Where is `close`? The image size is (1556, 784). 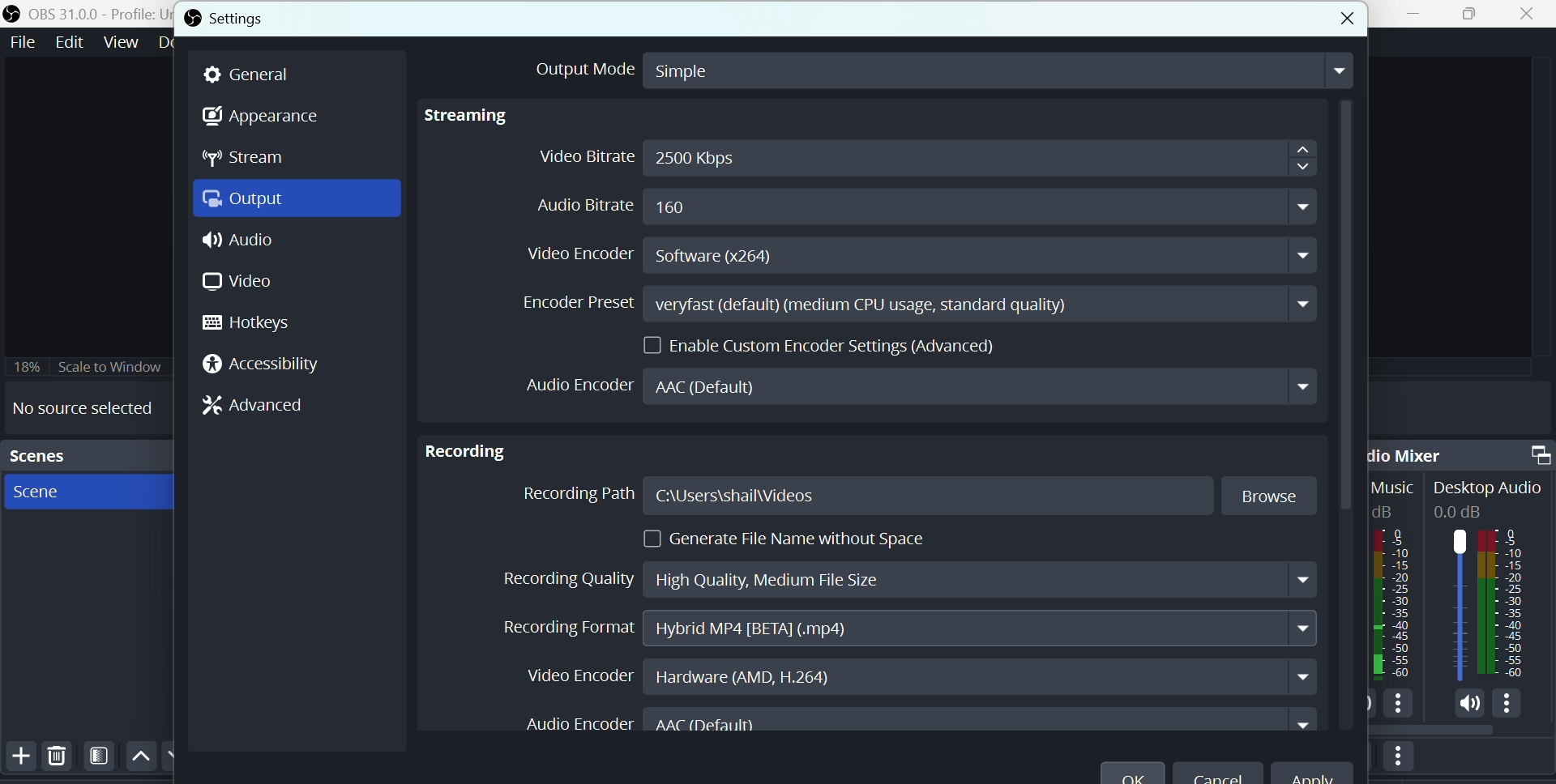 close is located at coordinates (1343, 15).